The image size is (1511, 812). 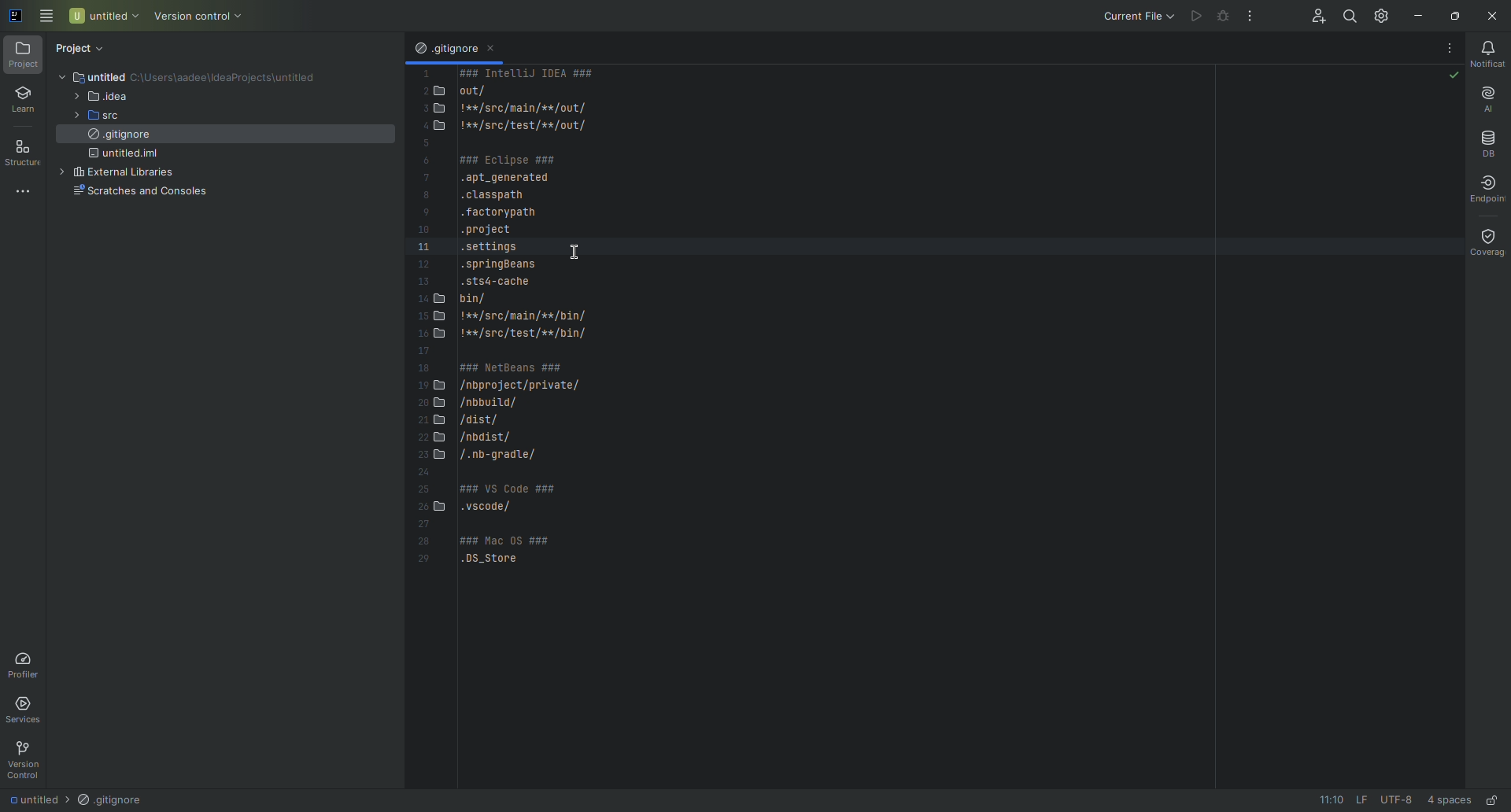 I want to click on More tools, so click(x=26, y=190).